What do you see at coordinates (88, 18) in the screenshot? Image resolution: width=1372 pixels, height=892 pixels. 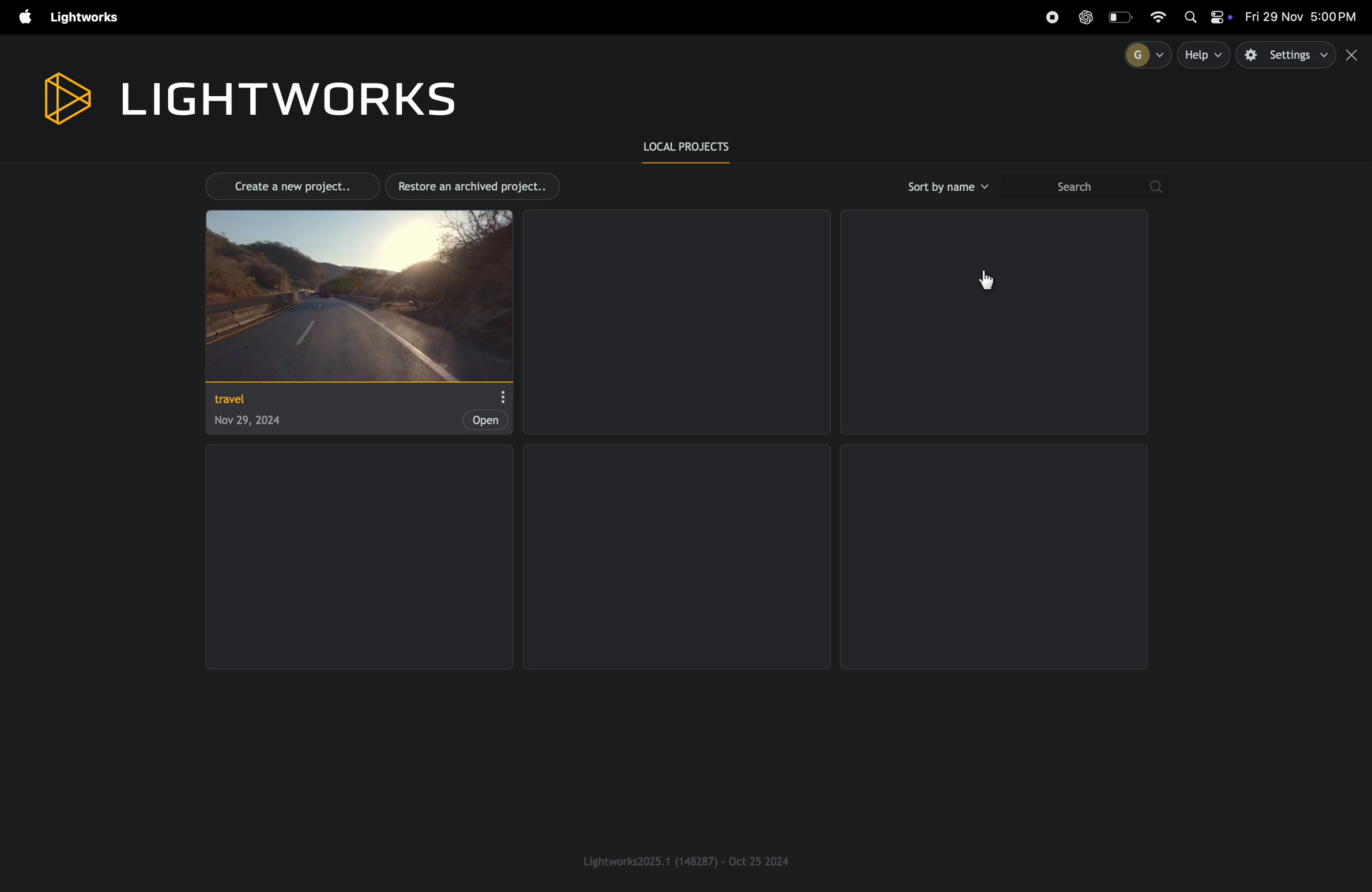 I see `light works` at bounding box center [88, 18].